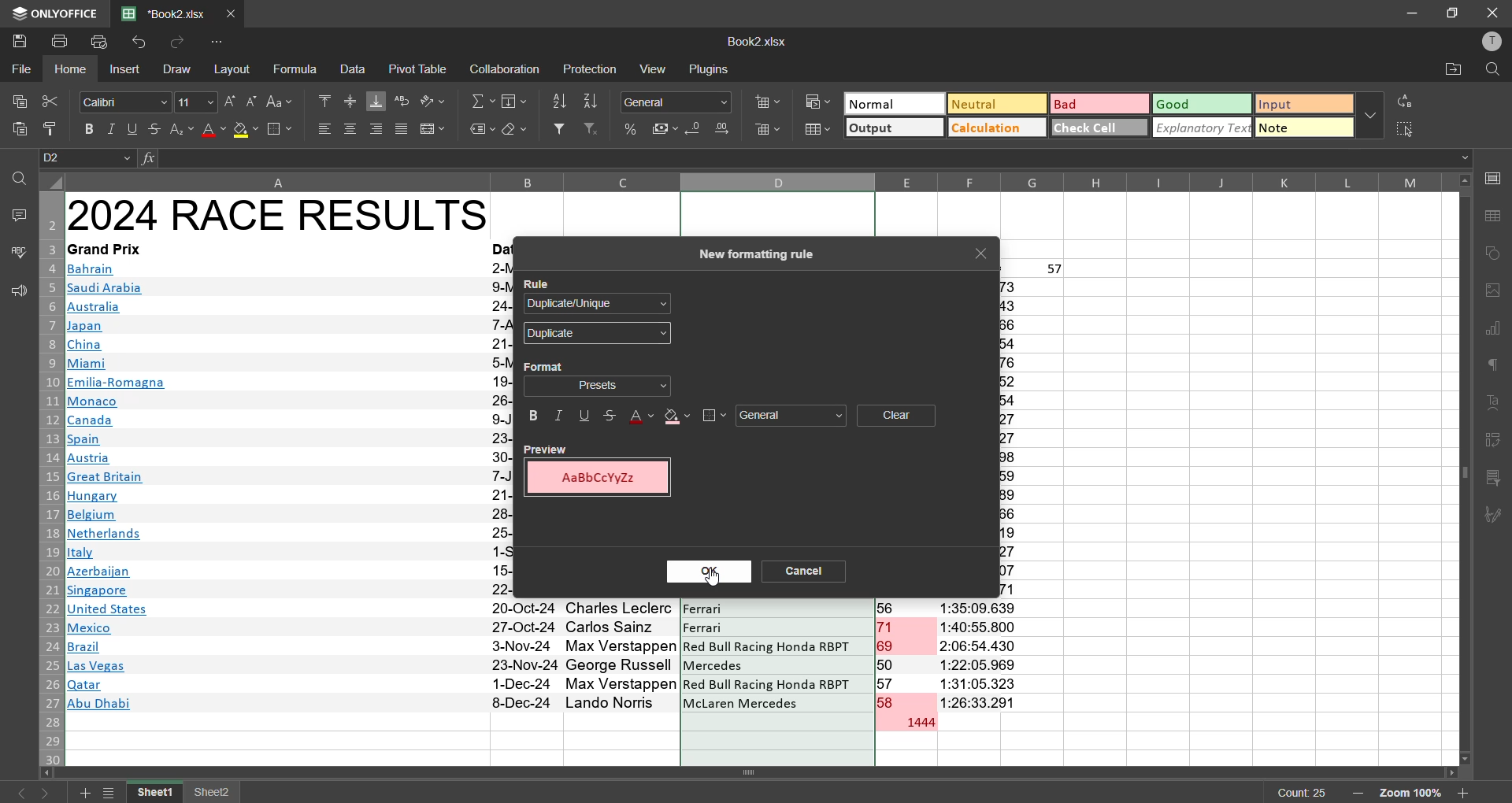 This screenshot has height=803, width=1512. I want to click on Preview, so click(547, 449).